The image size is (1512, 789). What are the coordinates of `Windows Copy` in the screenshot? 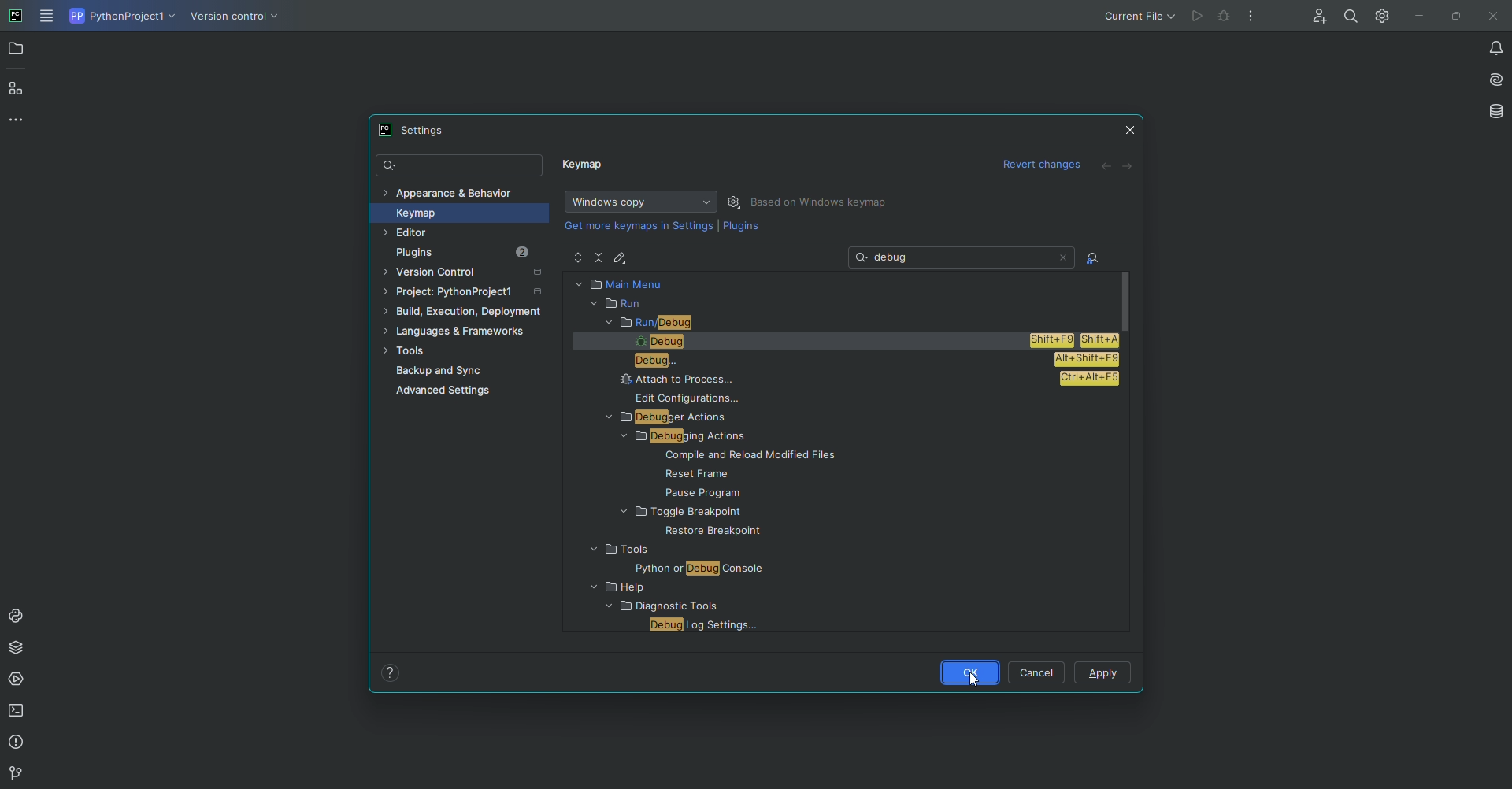 It's located at (638, 202).